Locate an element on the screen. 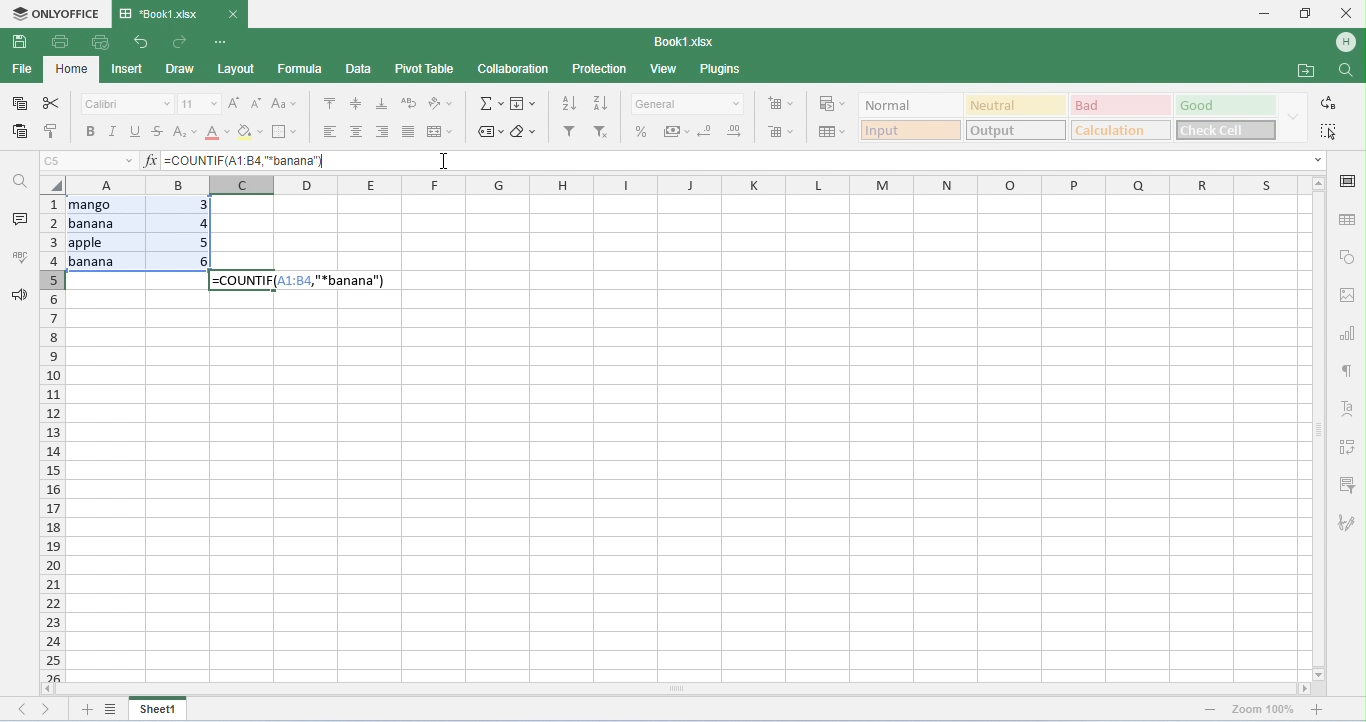 The image size is (1366, 722). zoom in is located at coordinates (1212, 710).